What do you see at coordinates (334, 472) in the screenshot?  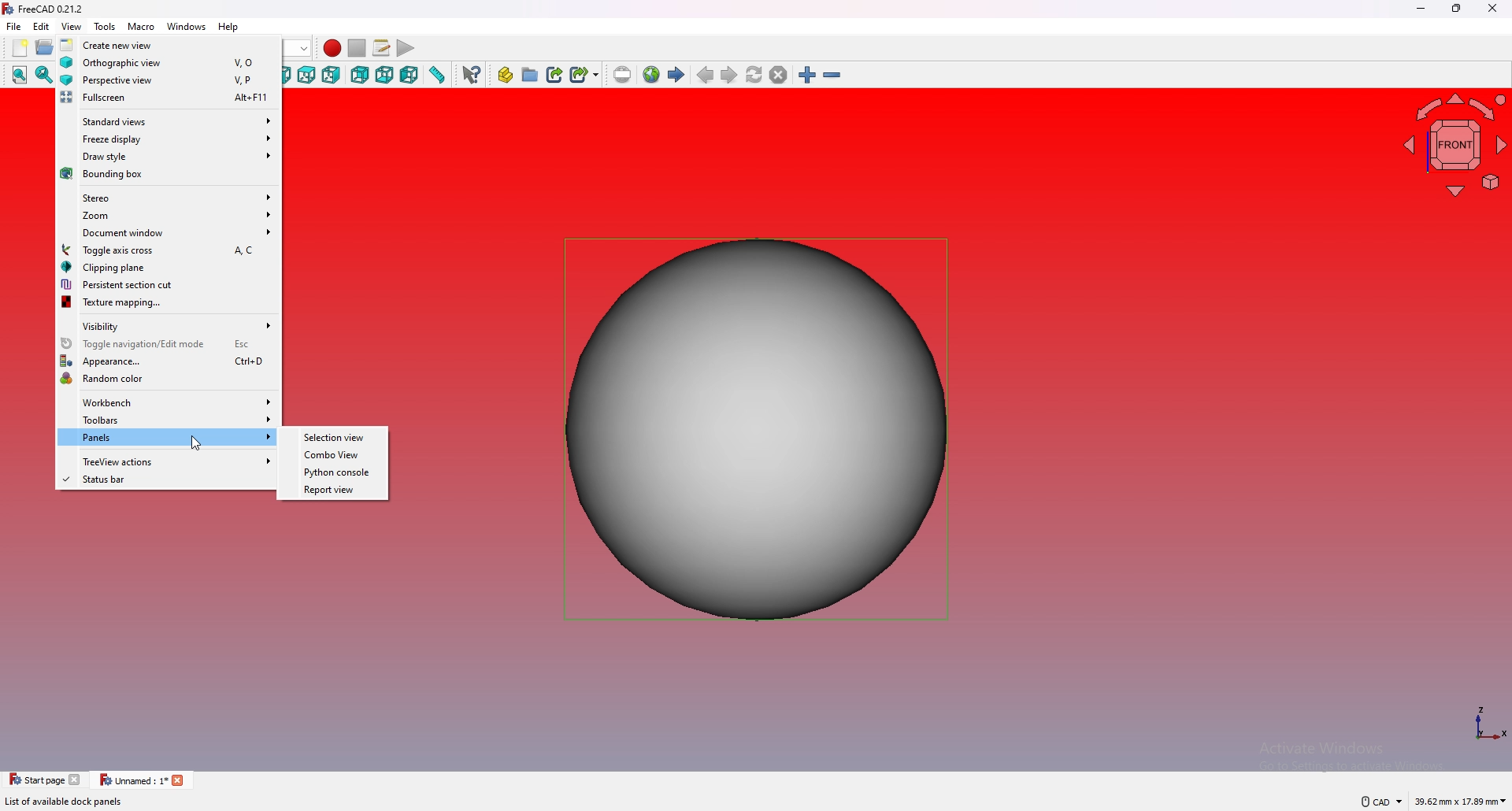 I see `python console` at bounding box center [334, 472].